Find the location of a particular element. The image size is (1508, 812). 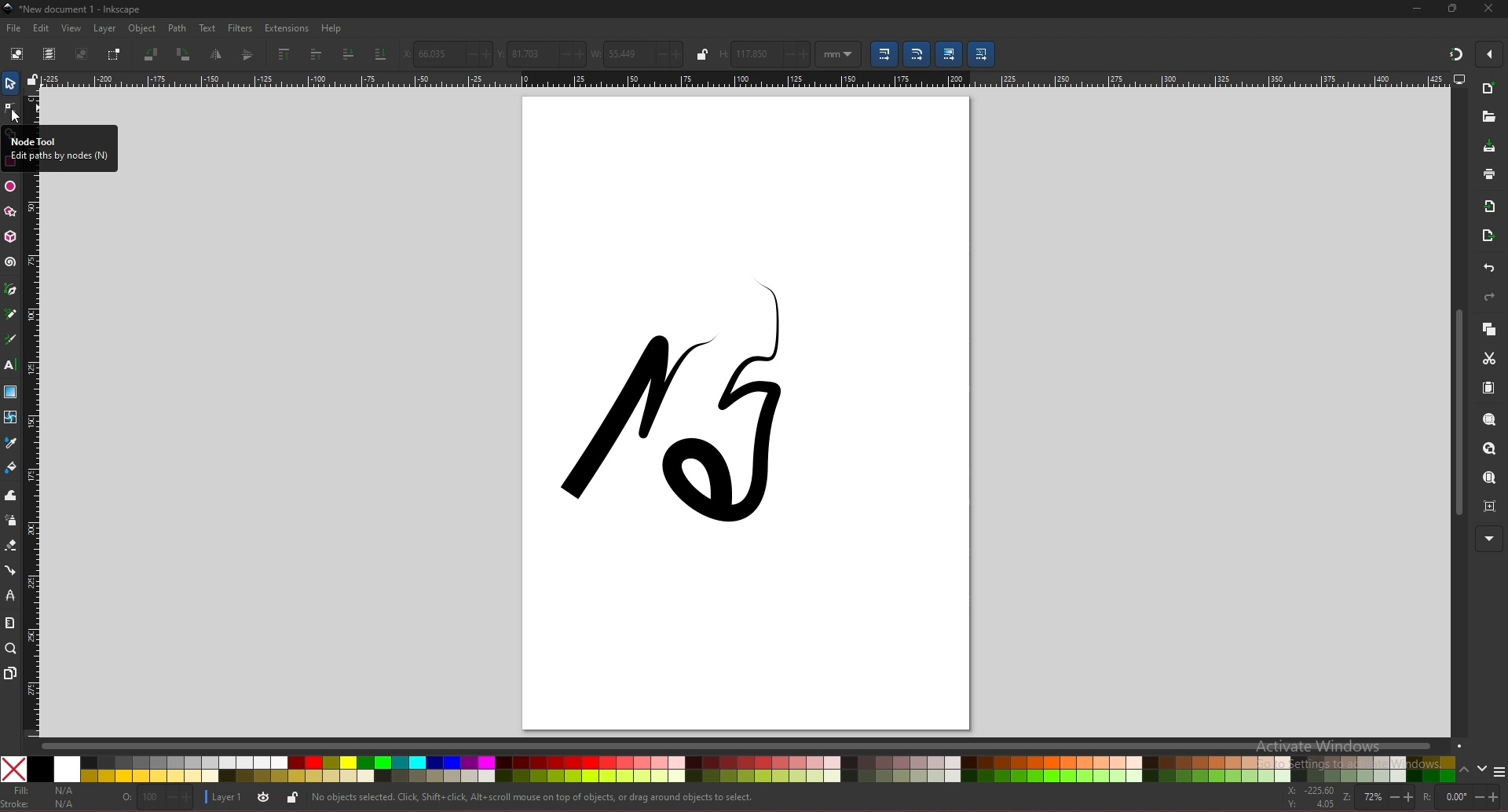

info is located at coordinates (535, 796).